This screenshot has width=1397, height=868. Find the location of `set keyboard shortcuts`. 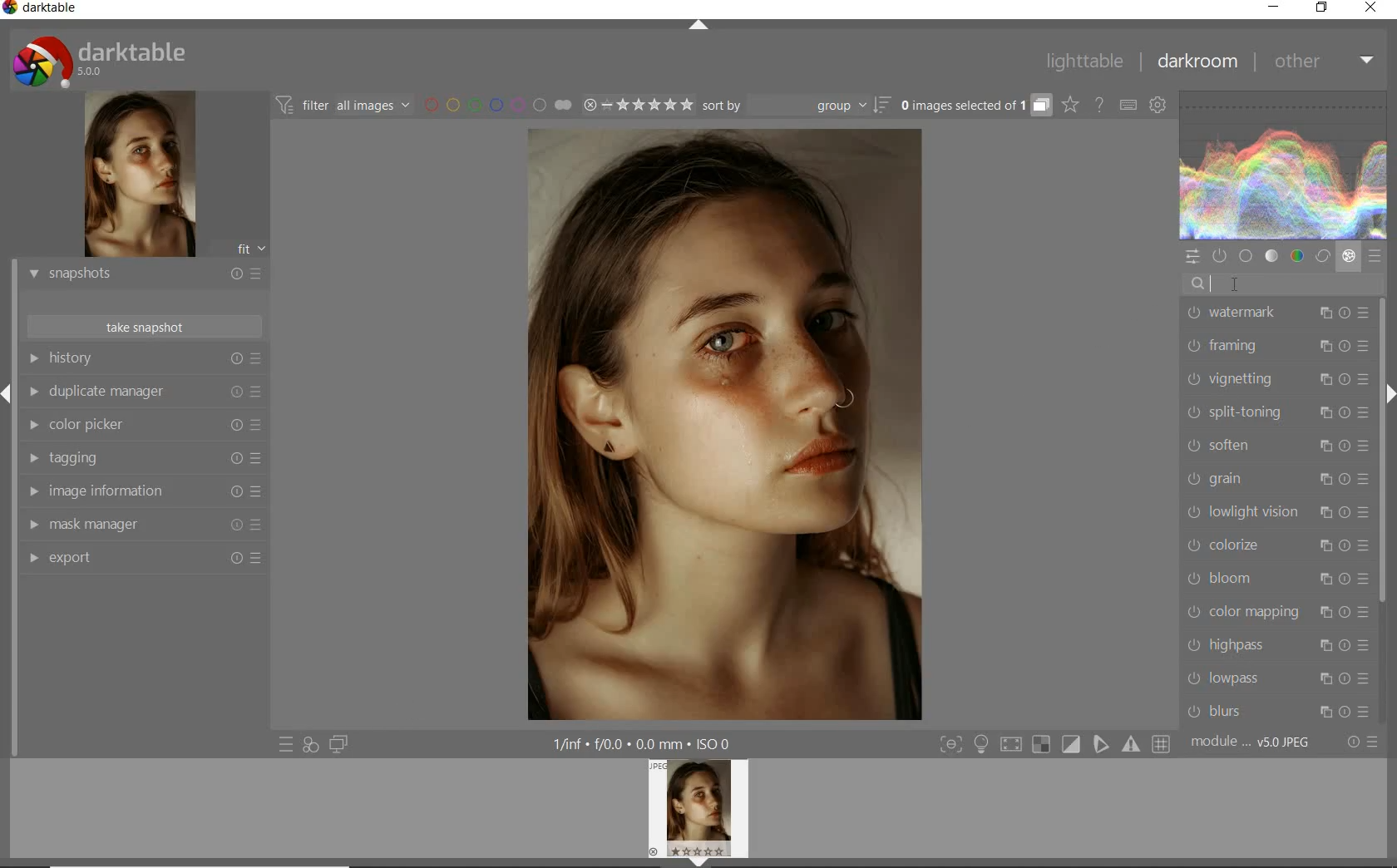

set keyboard shortcuts is located at coordinates (1128, 106).